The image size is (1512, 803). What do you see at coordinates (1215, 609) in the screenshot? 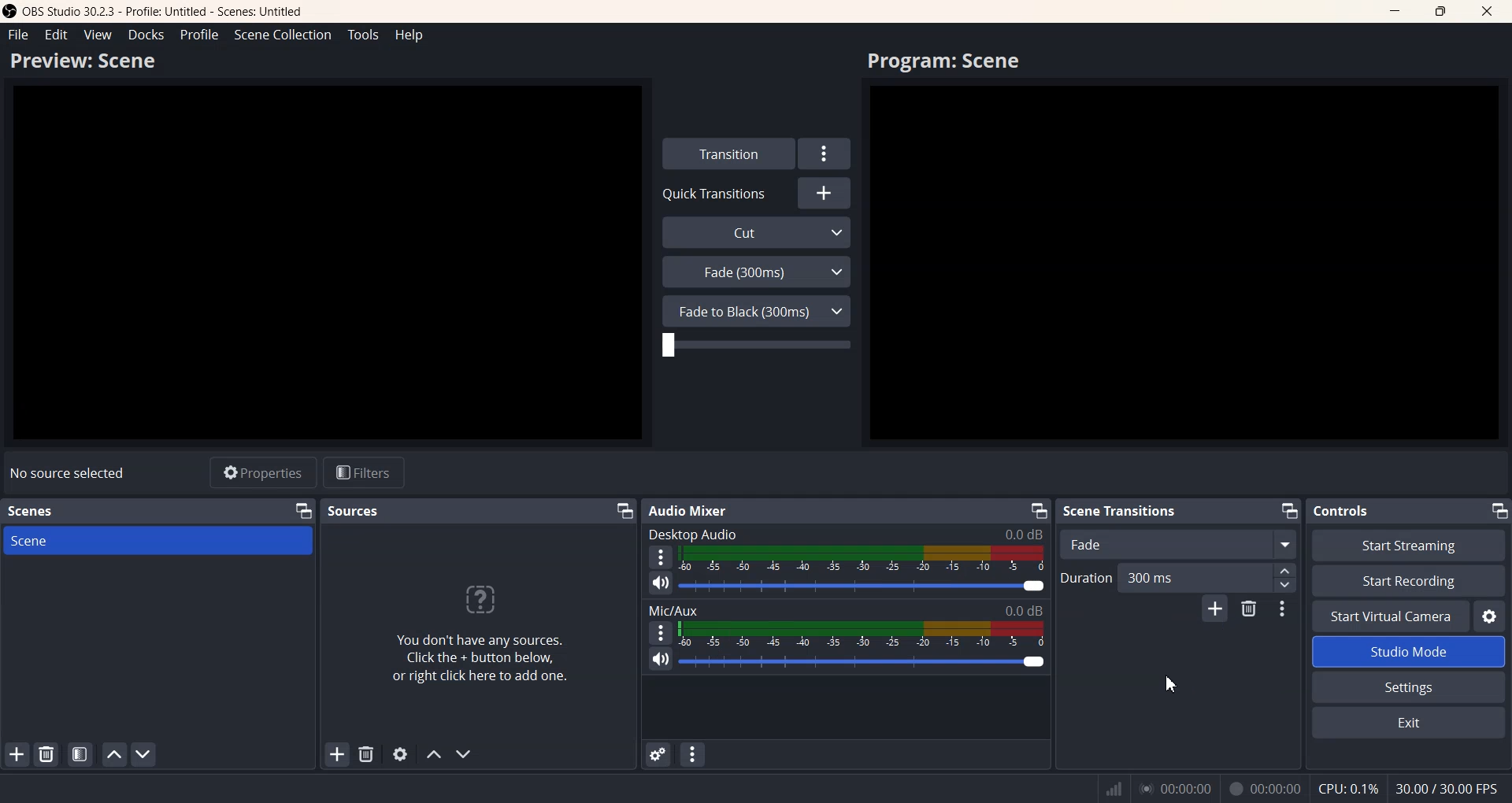
I see `Add configurable transition` at bounding box center [1215, 609].